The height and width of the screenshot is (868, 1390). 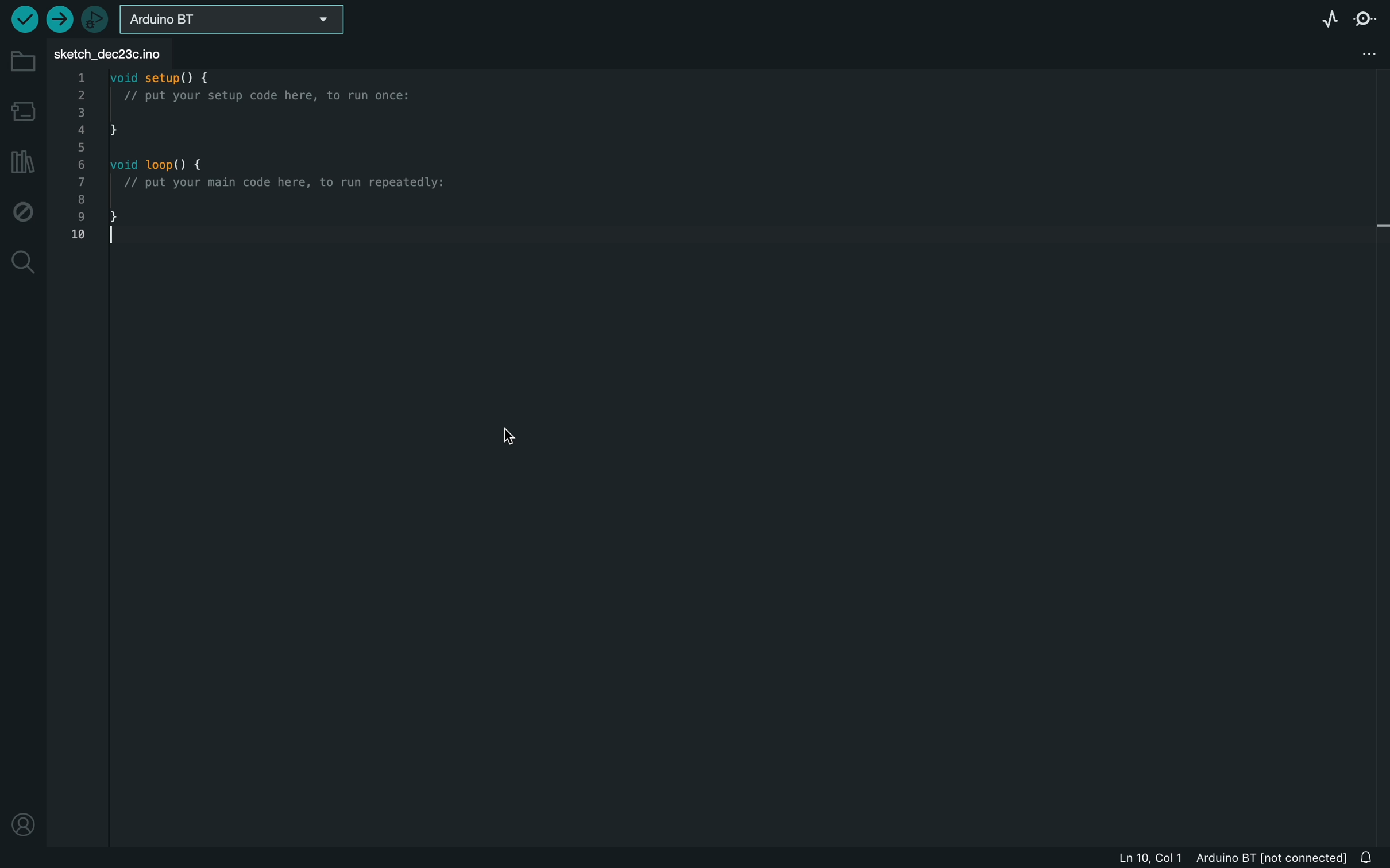 I want to click on folder selecter, so click(x=234, y=19).